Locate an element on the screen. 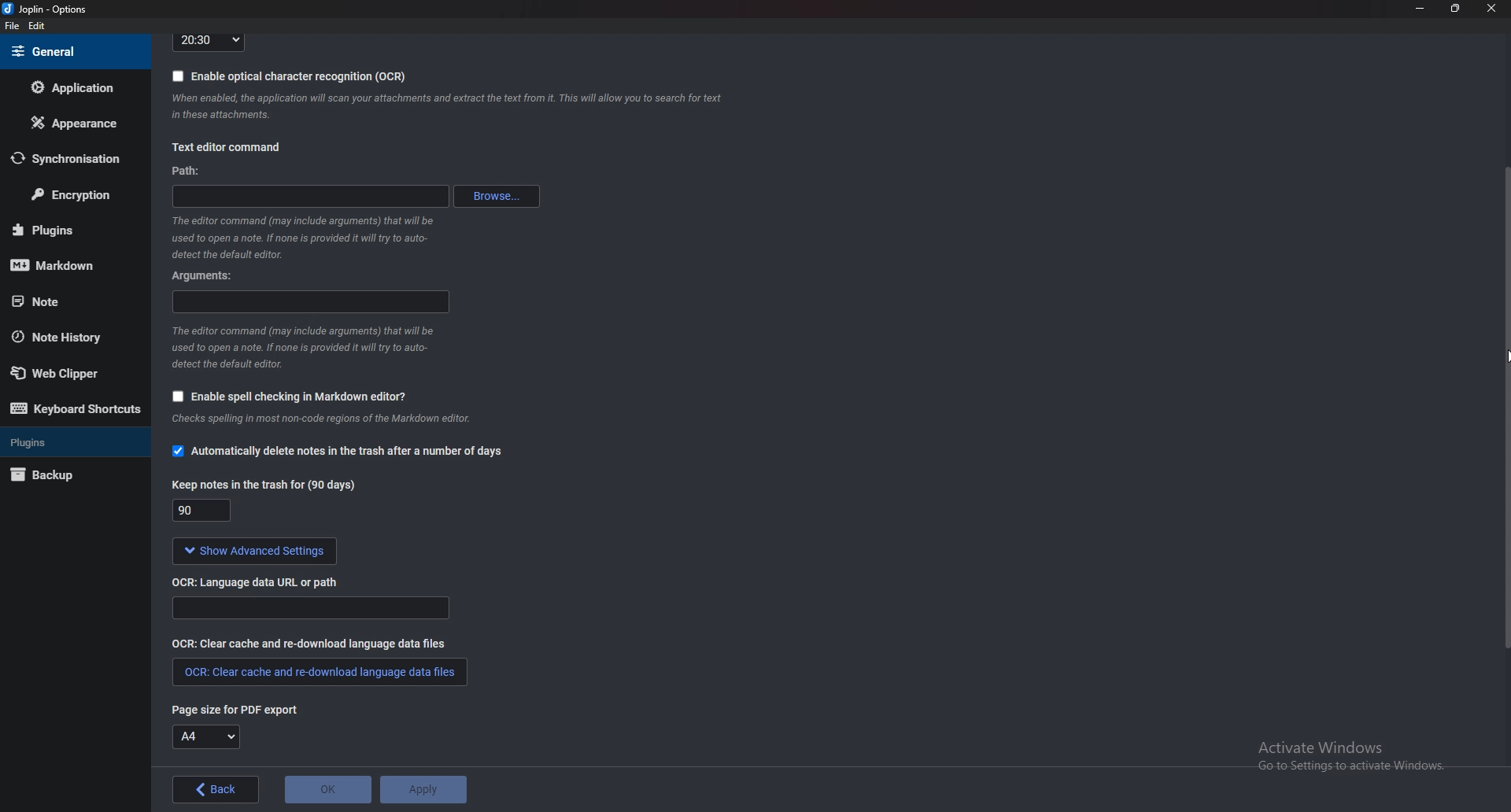  plugins is located at coordinates (68, 230).